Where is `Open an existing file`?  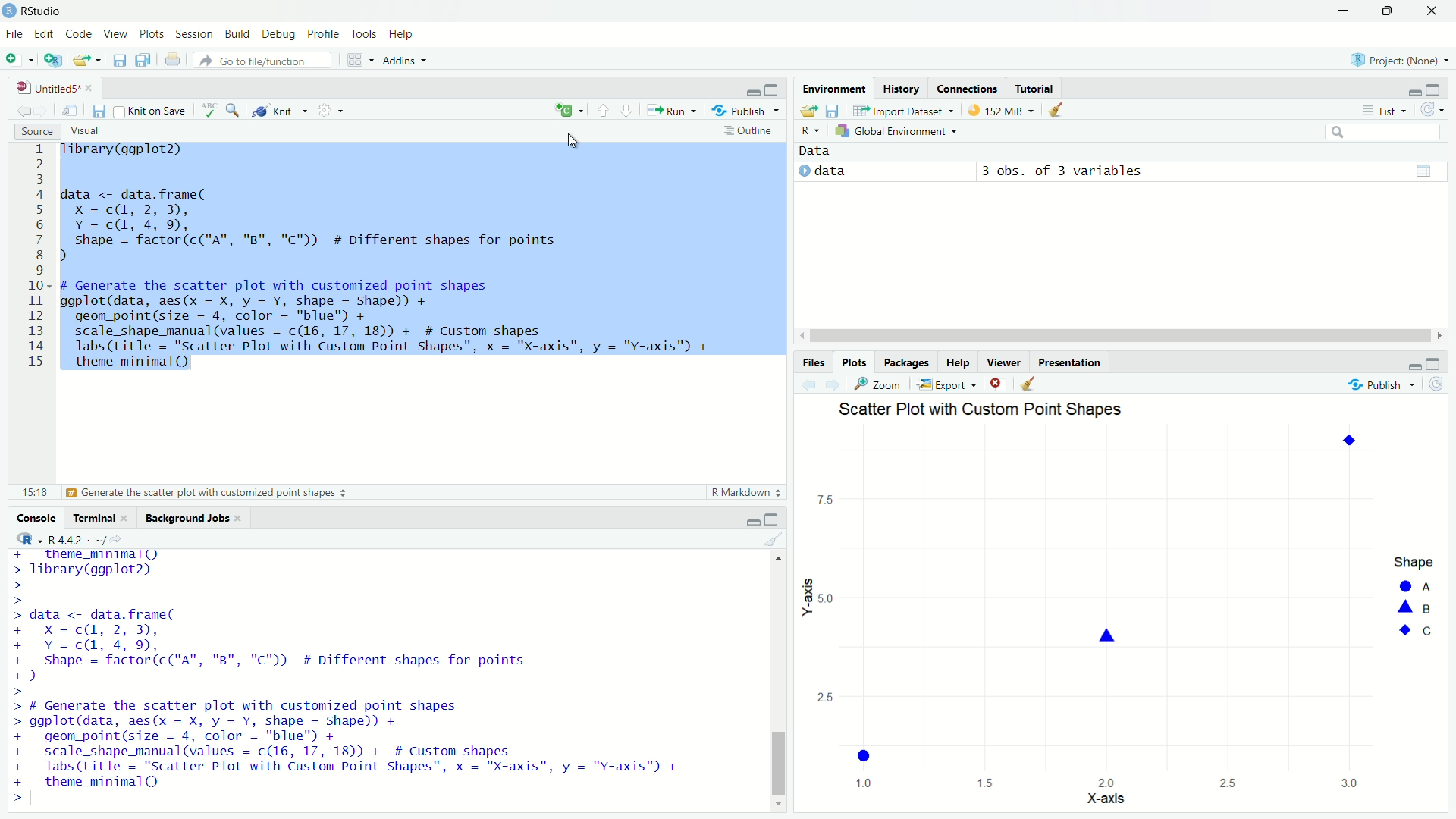 Open an existing file is located at coordinates (80, 60).